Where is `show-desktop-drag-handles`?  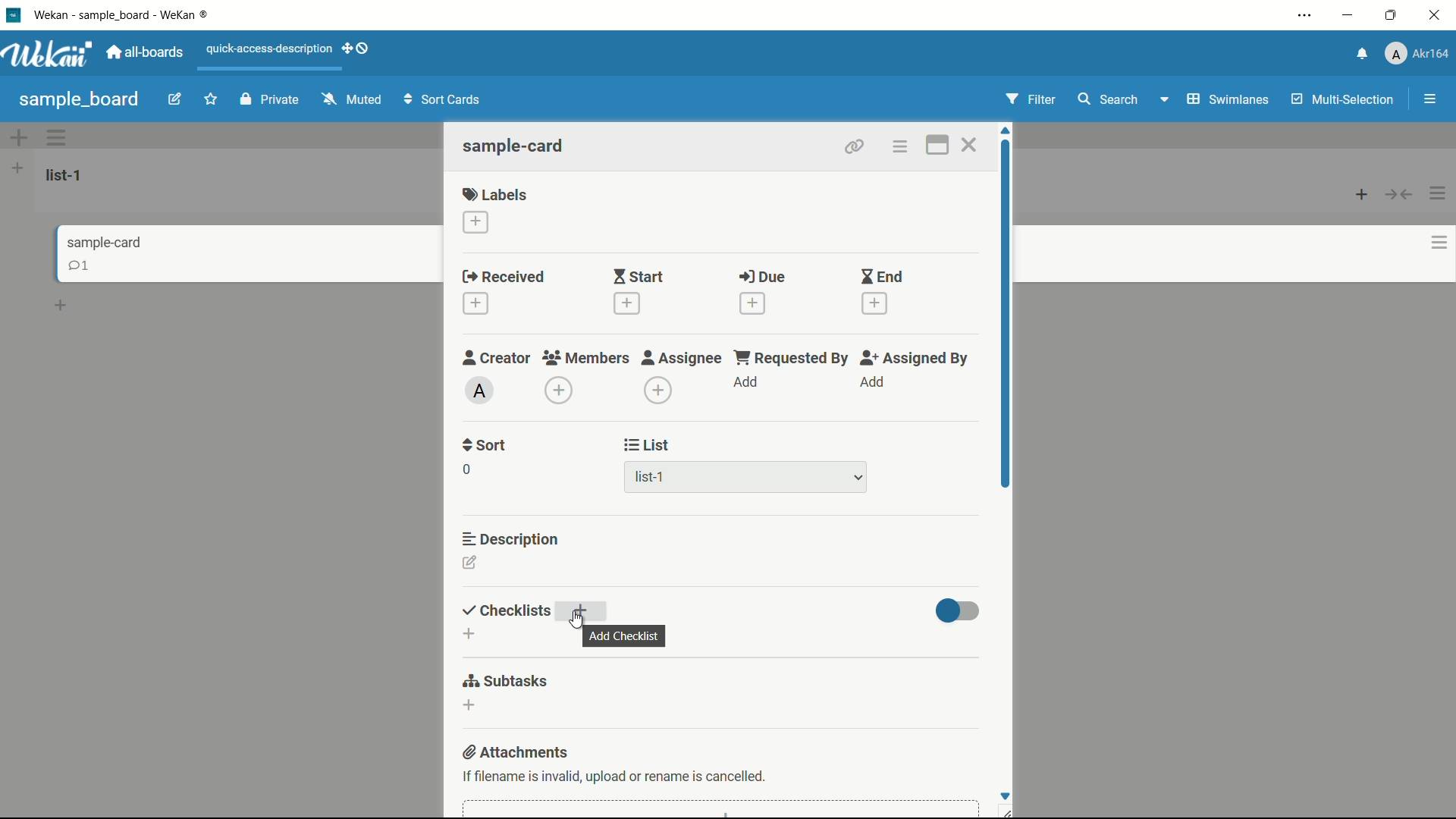
show-desktop-drag-handles is located at coordinates (365, 47).